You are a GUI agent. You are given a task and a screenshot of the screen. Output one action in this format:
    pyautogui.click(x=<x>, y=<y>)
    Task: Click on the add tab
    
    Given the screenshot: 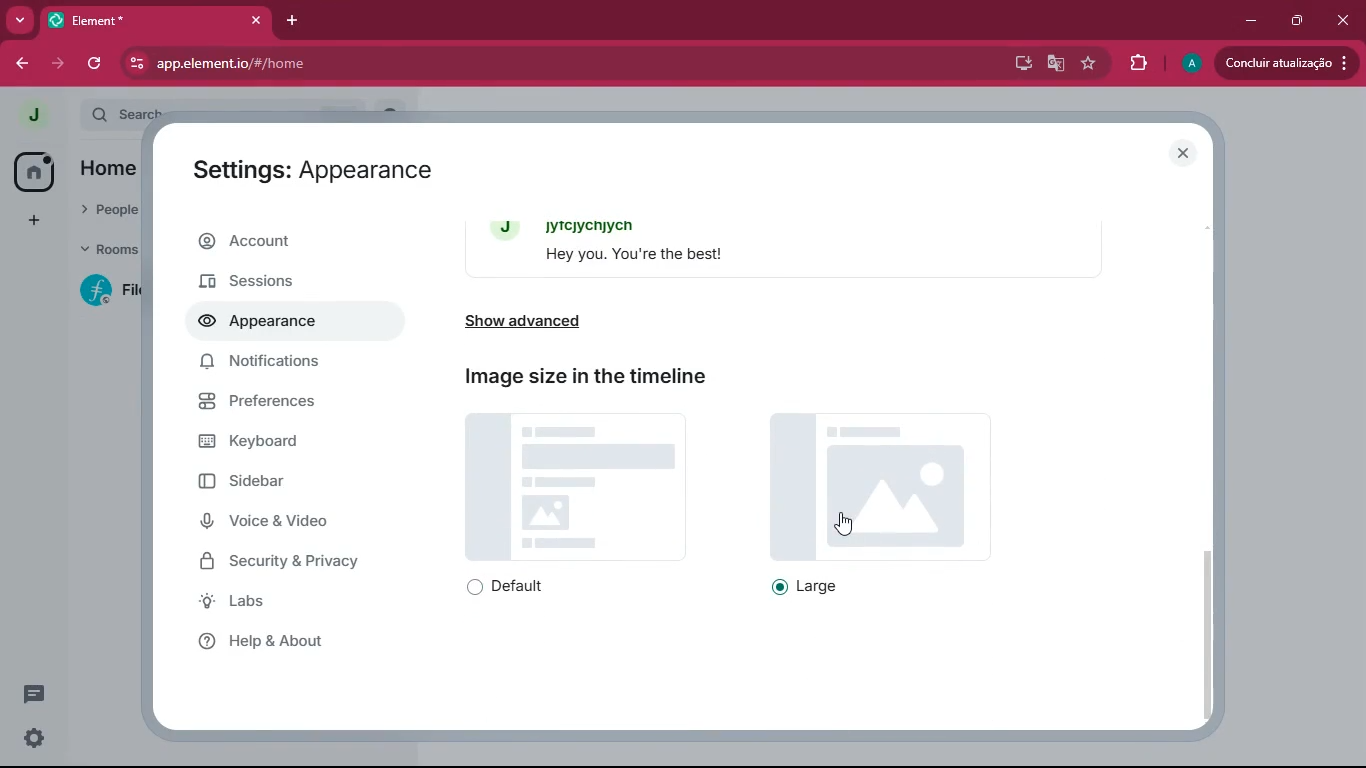 What is the action you would take?
    pyautogui.click(x=297, y=23)
    